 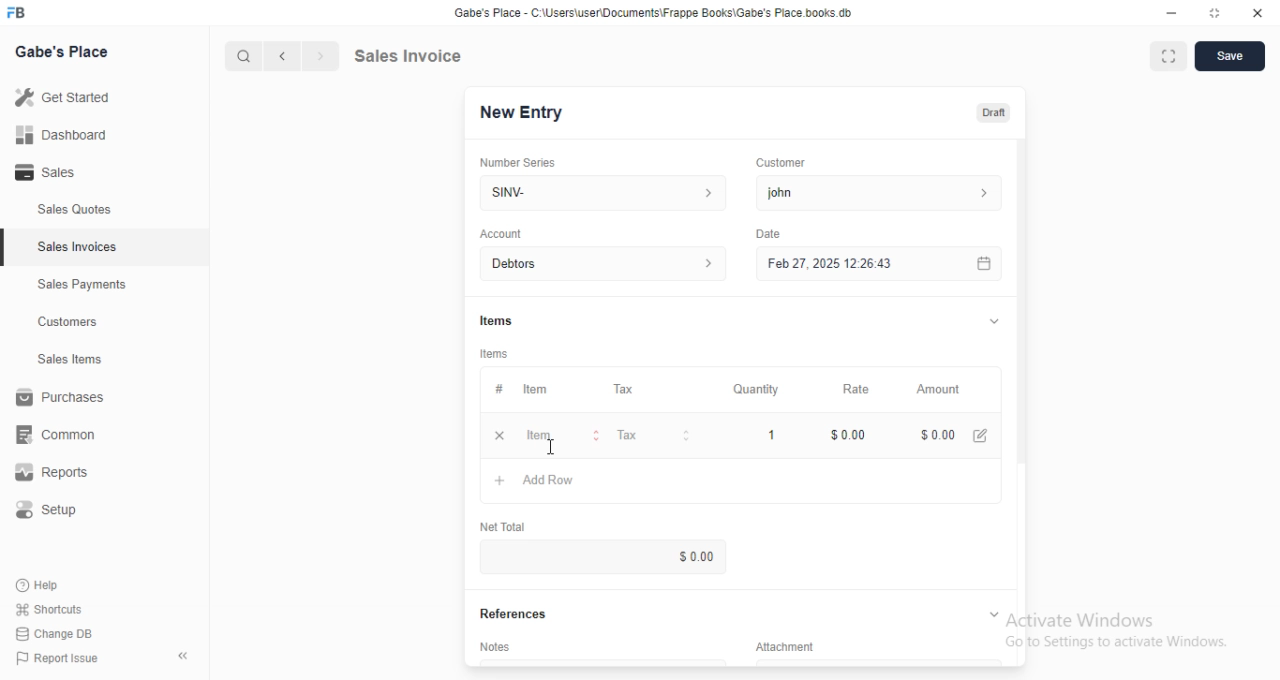 I want to click on Tax, so click(x=656, y=436).